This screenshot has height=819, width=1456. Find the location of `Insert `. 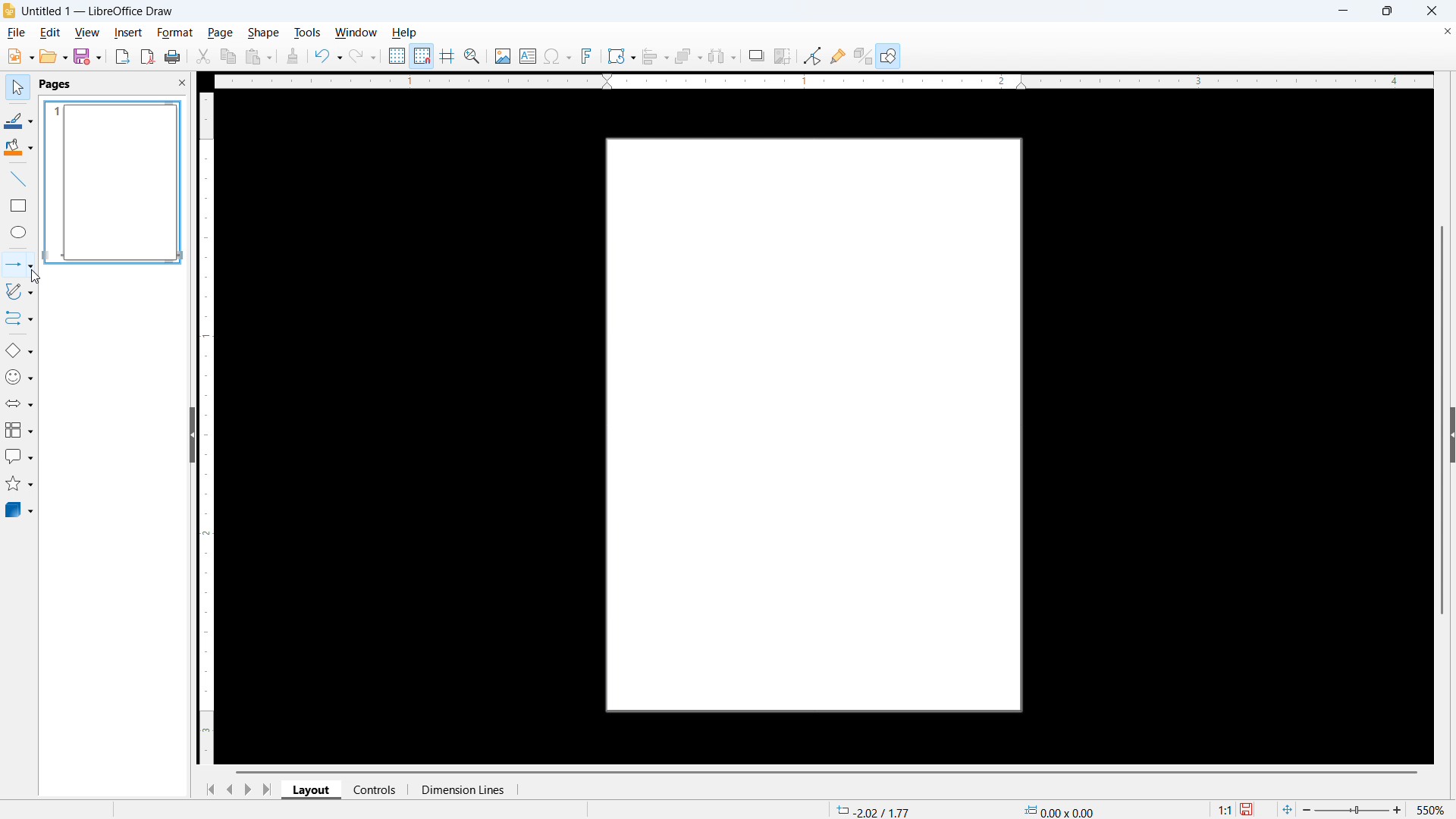

Insert  is located at coordinates (127, 32).